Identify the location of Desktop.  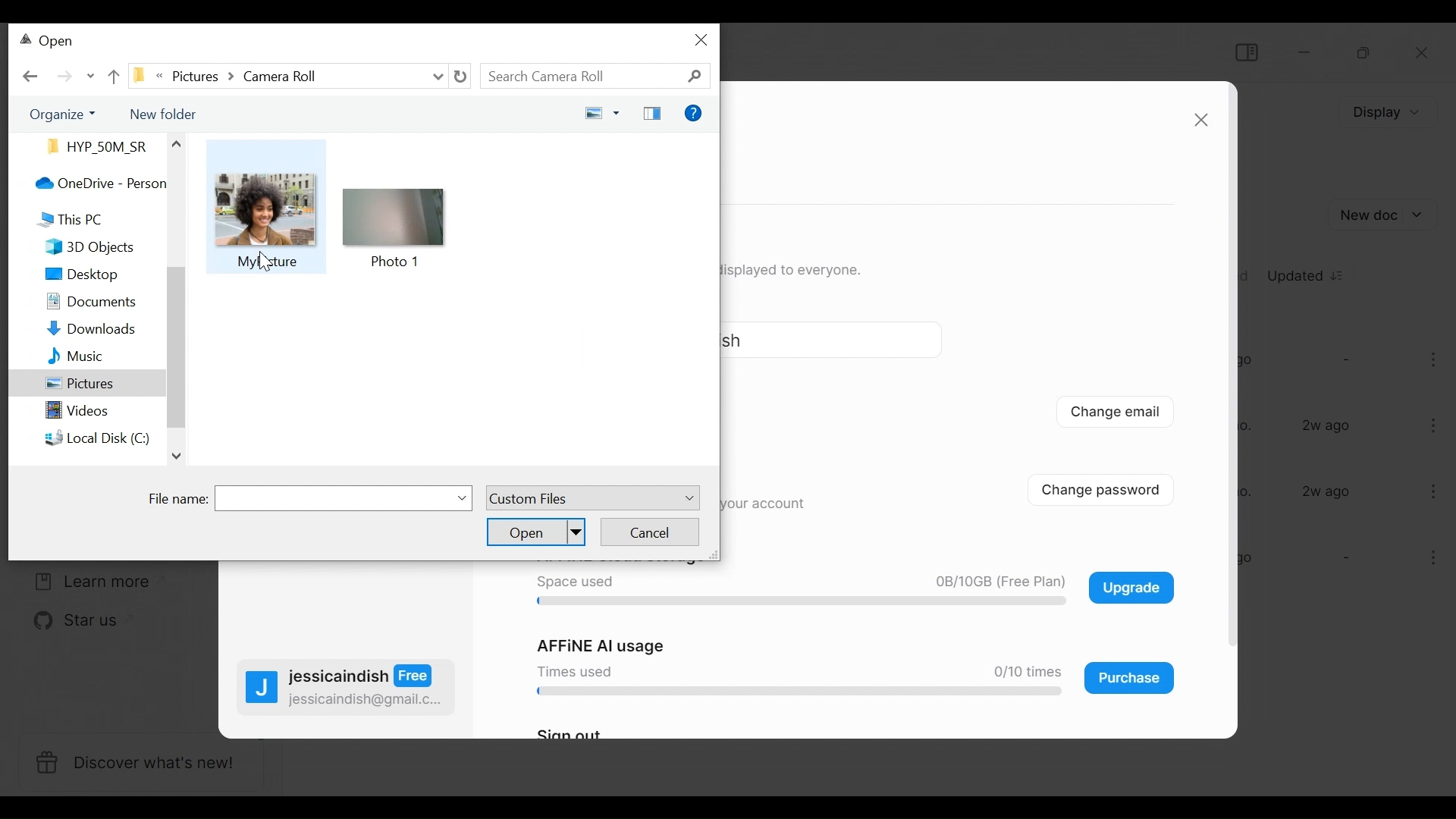
(80, 275).